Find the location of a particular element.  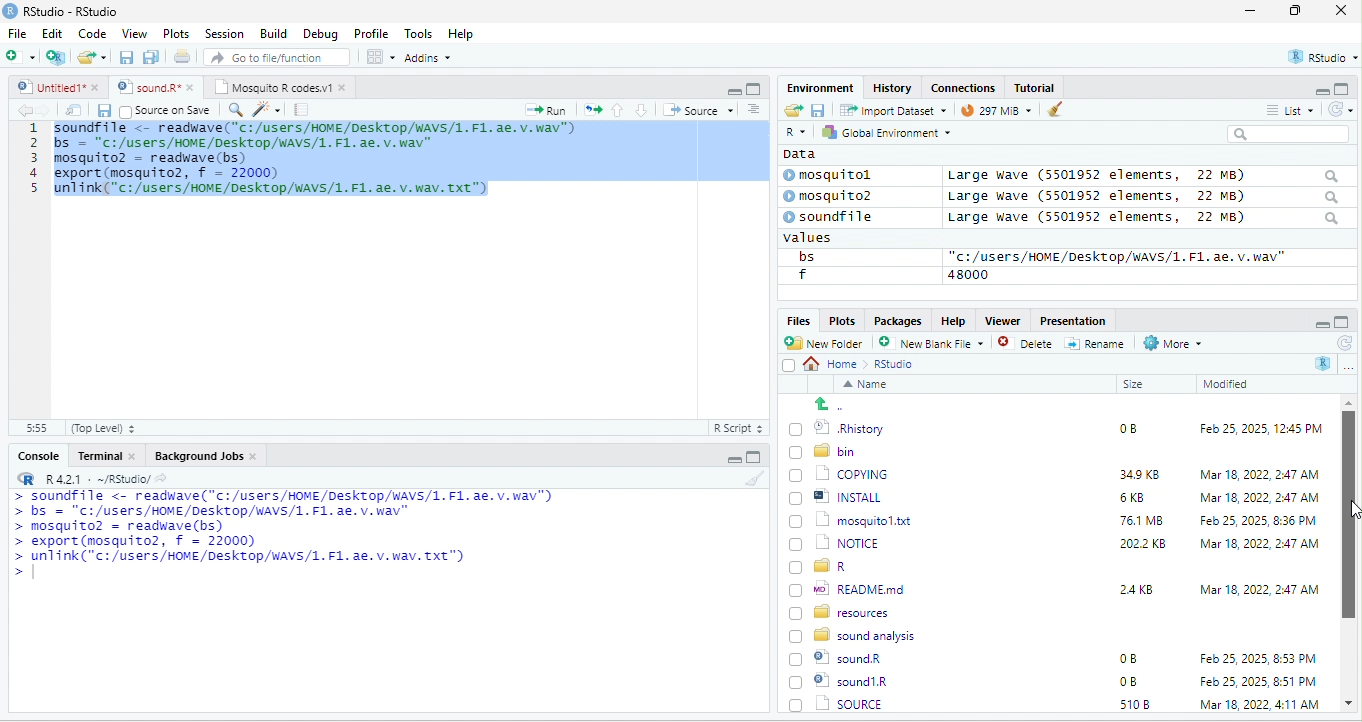

Build is located at coordinates (274, 33).